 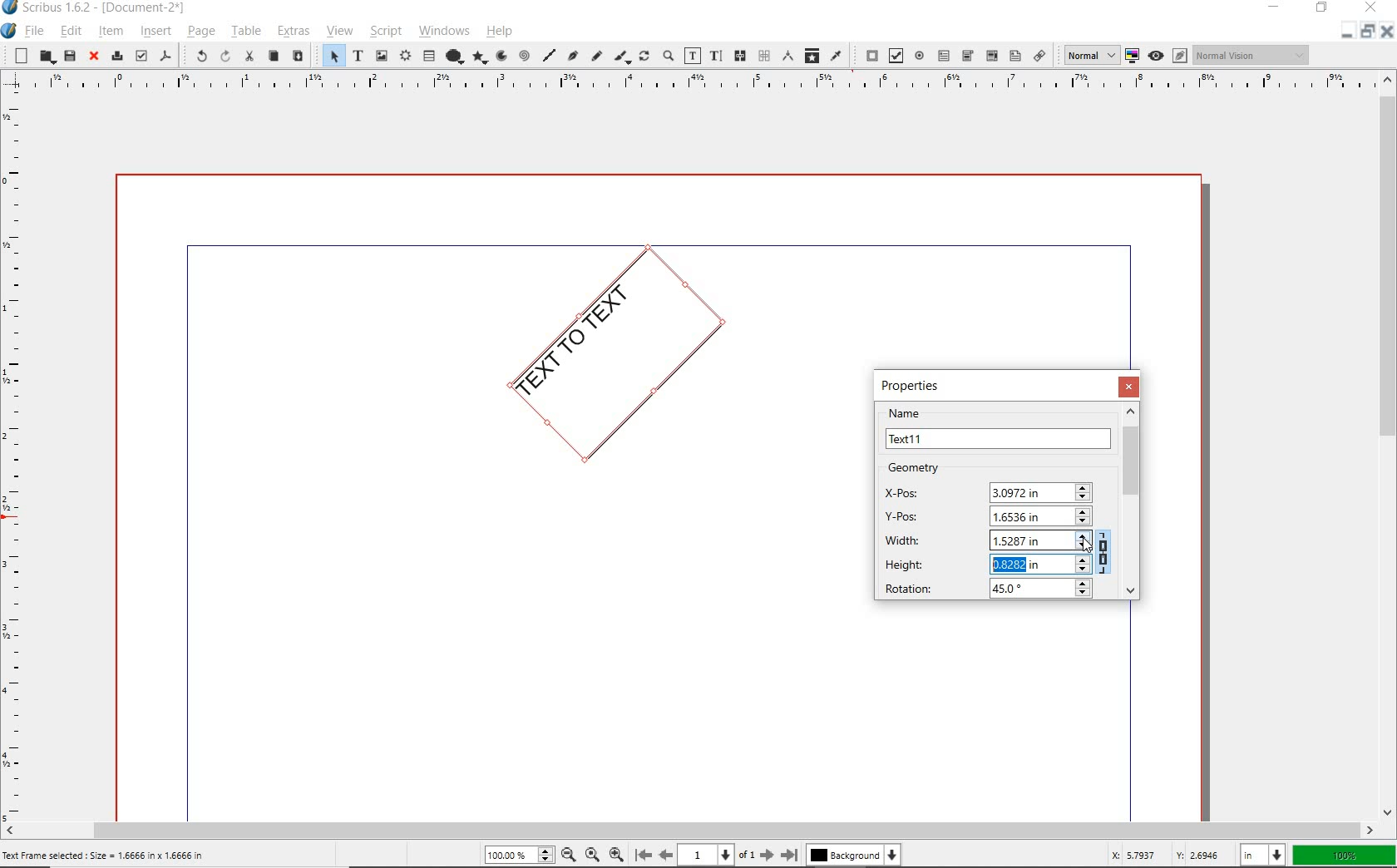 I want to click on WIDTH, so click(x=986, y=539).